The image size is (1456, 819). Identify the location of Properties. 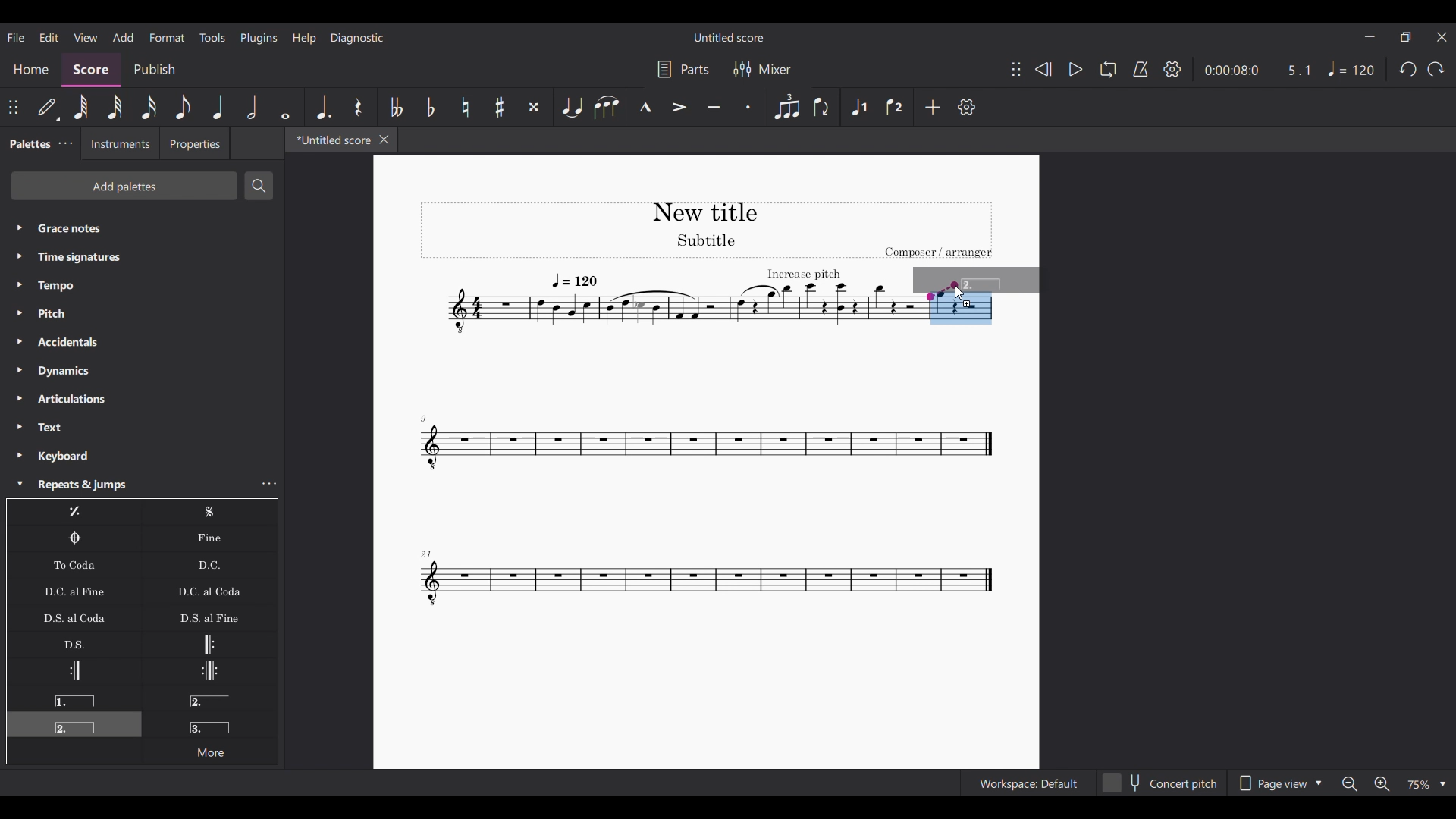
(194, 143).